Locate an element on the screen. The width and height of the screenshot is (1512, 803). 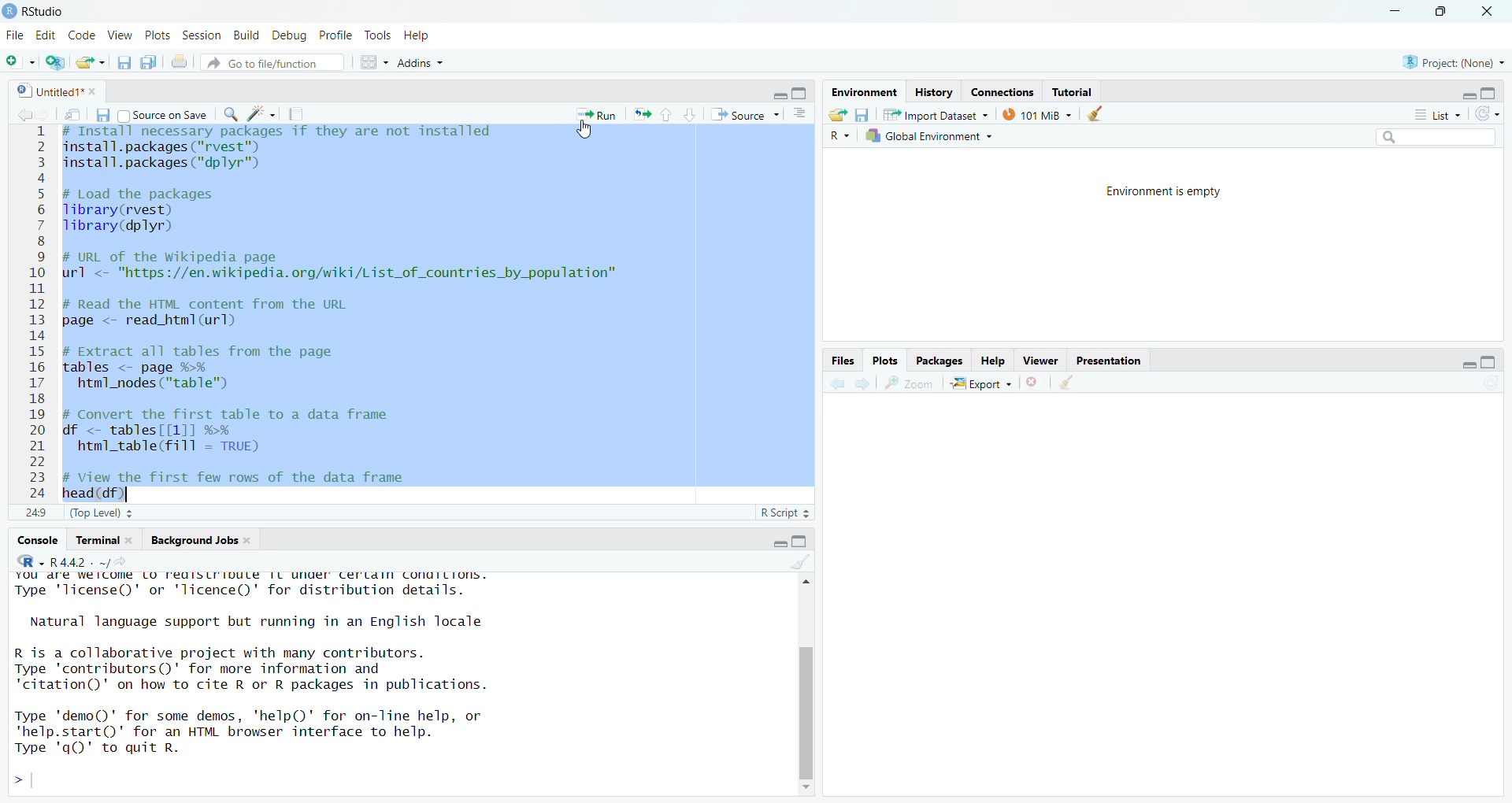
Code is located at coordinates (81, 35).